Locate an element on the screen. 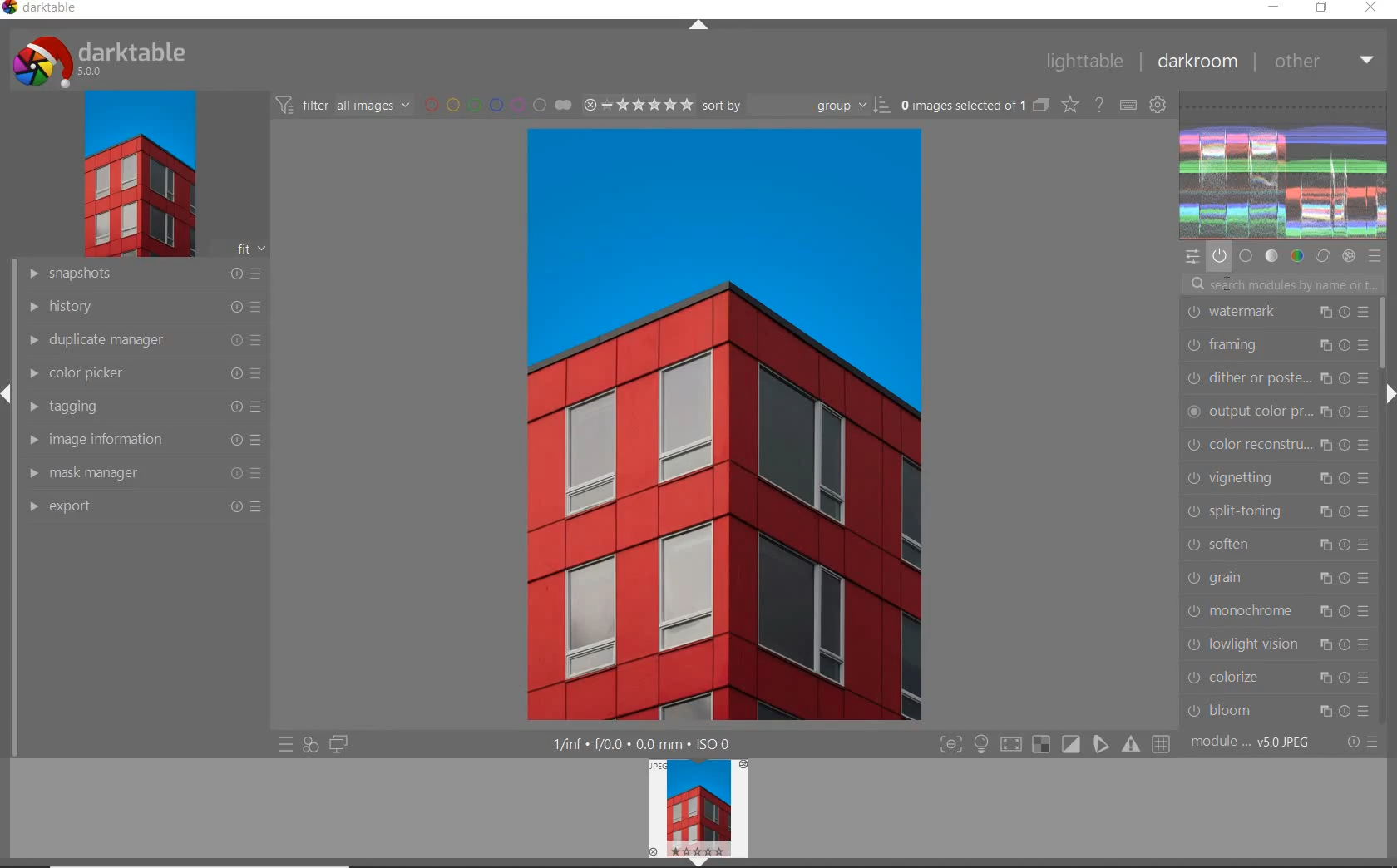 The image size is (1397, 868). monochrome is located at coordinates (1278, 611).